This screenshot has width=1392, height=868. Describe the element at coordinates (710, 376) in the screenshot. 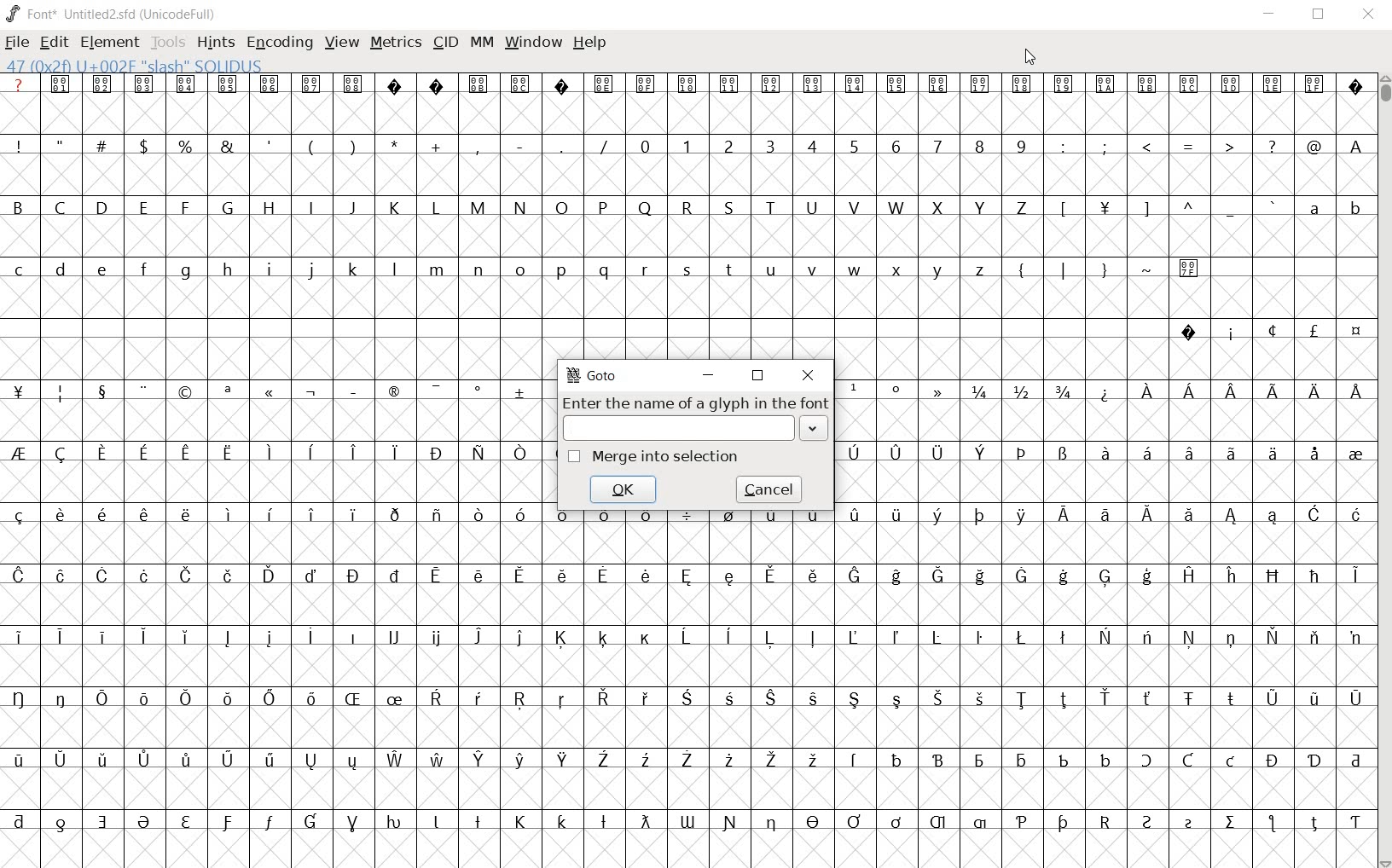

I see `minimize` at that location.